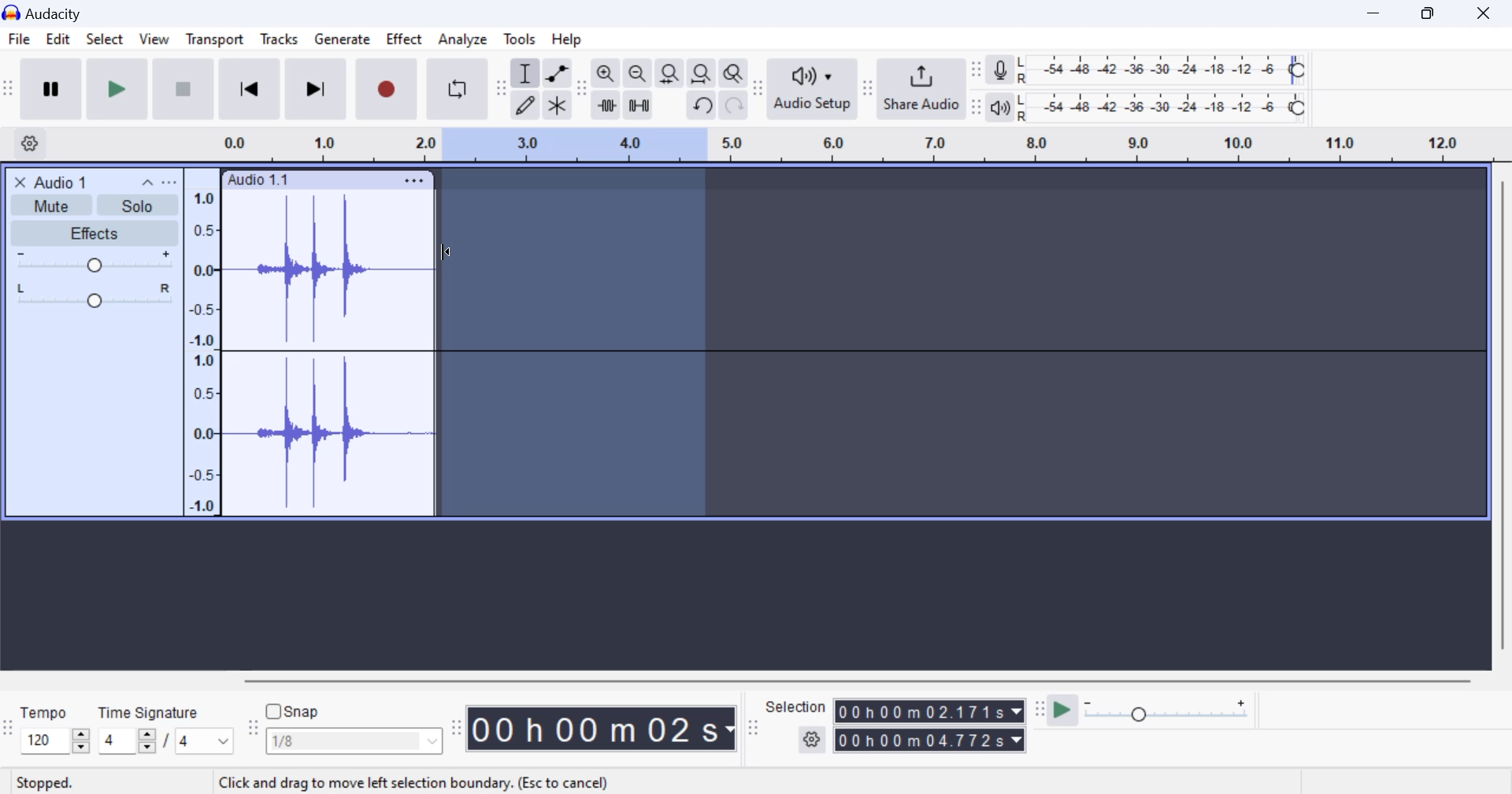  I want to click on Selection, so click(796, 707).